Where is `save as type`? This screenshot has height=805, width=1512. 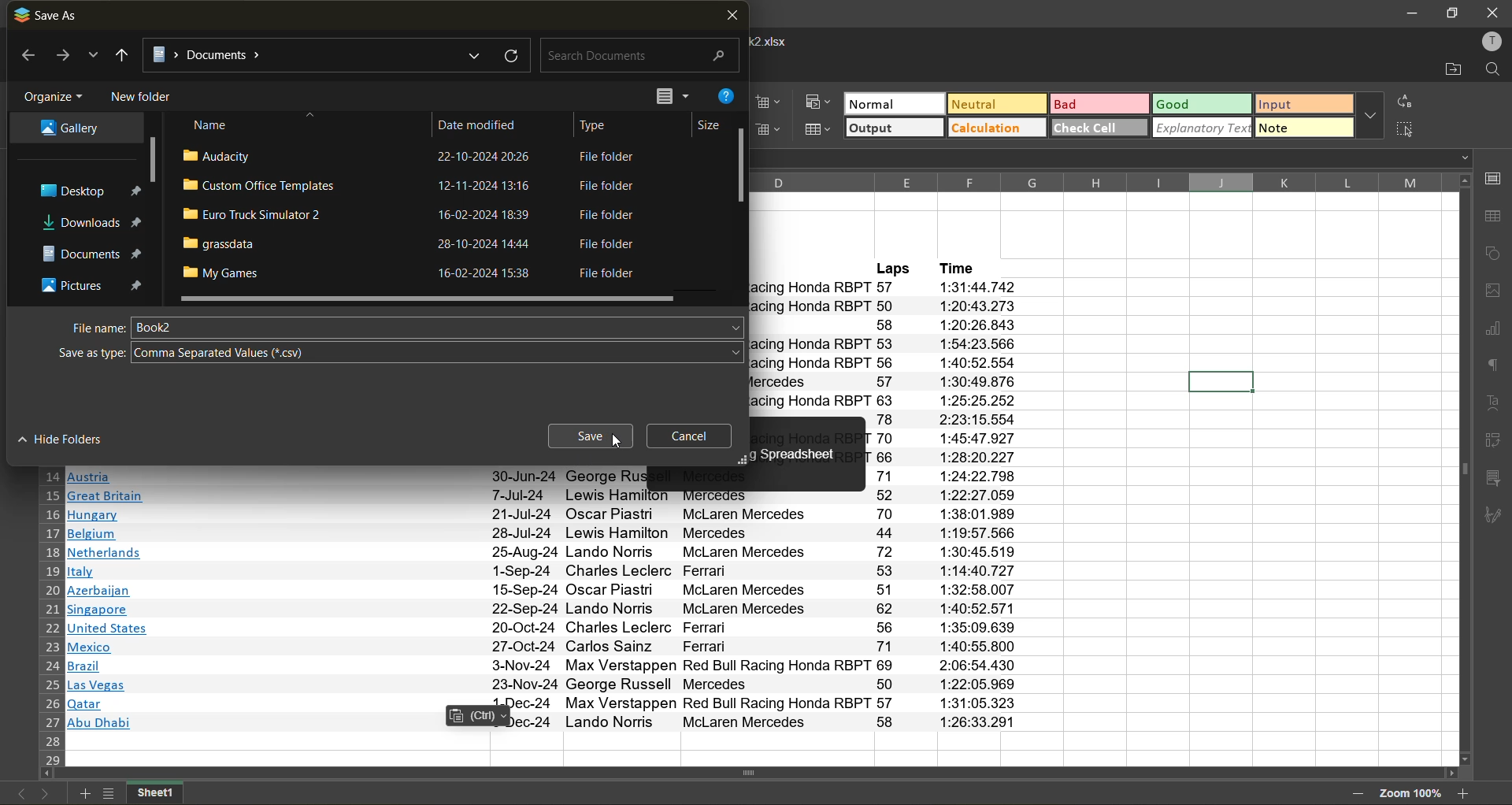 save as type is located at coordinates (87, 352).